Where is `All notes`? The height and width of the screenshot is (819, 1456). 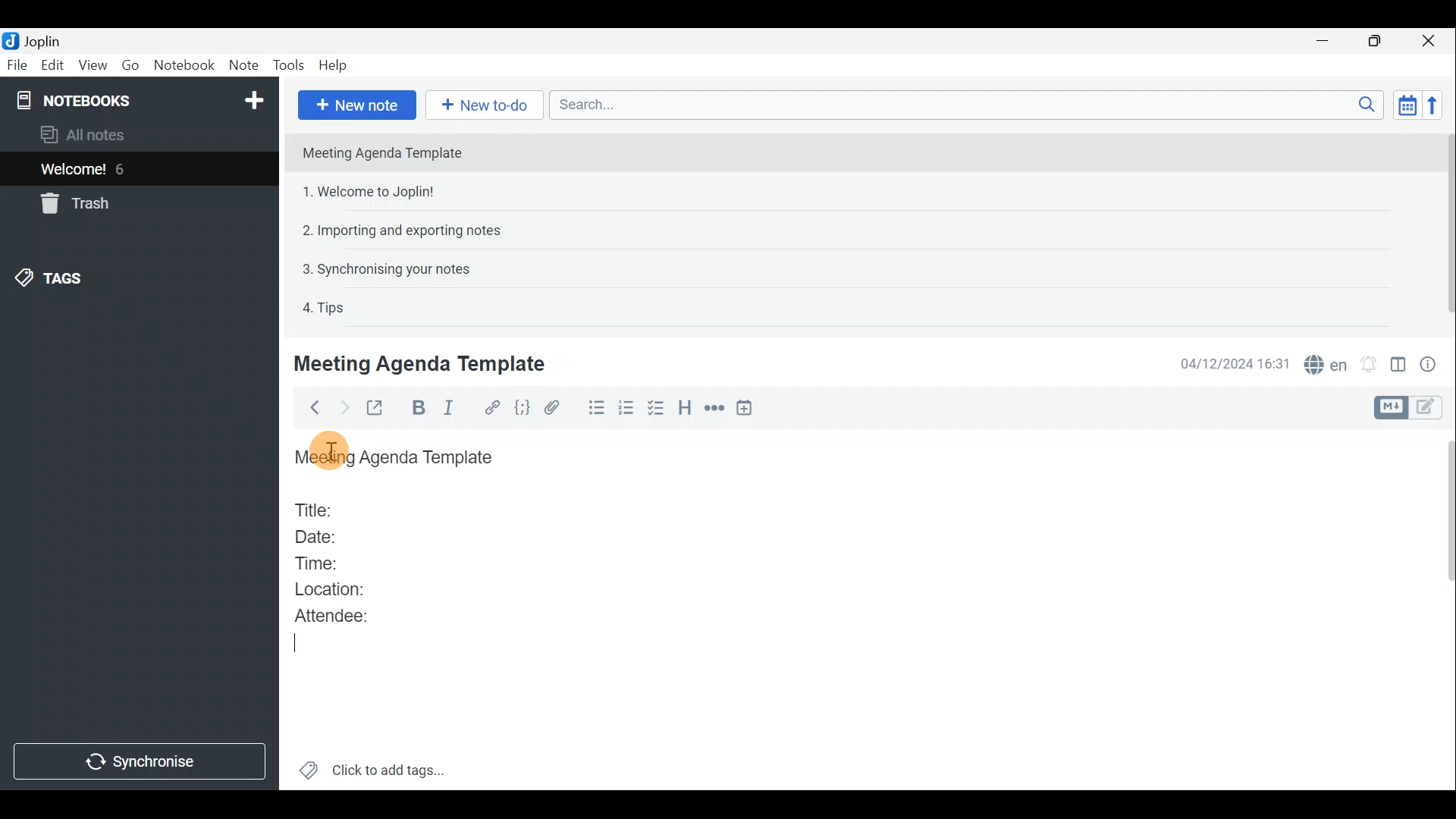 All notes is located at coordinates (108, 134).